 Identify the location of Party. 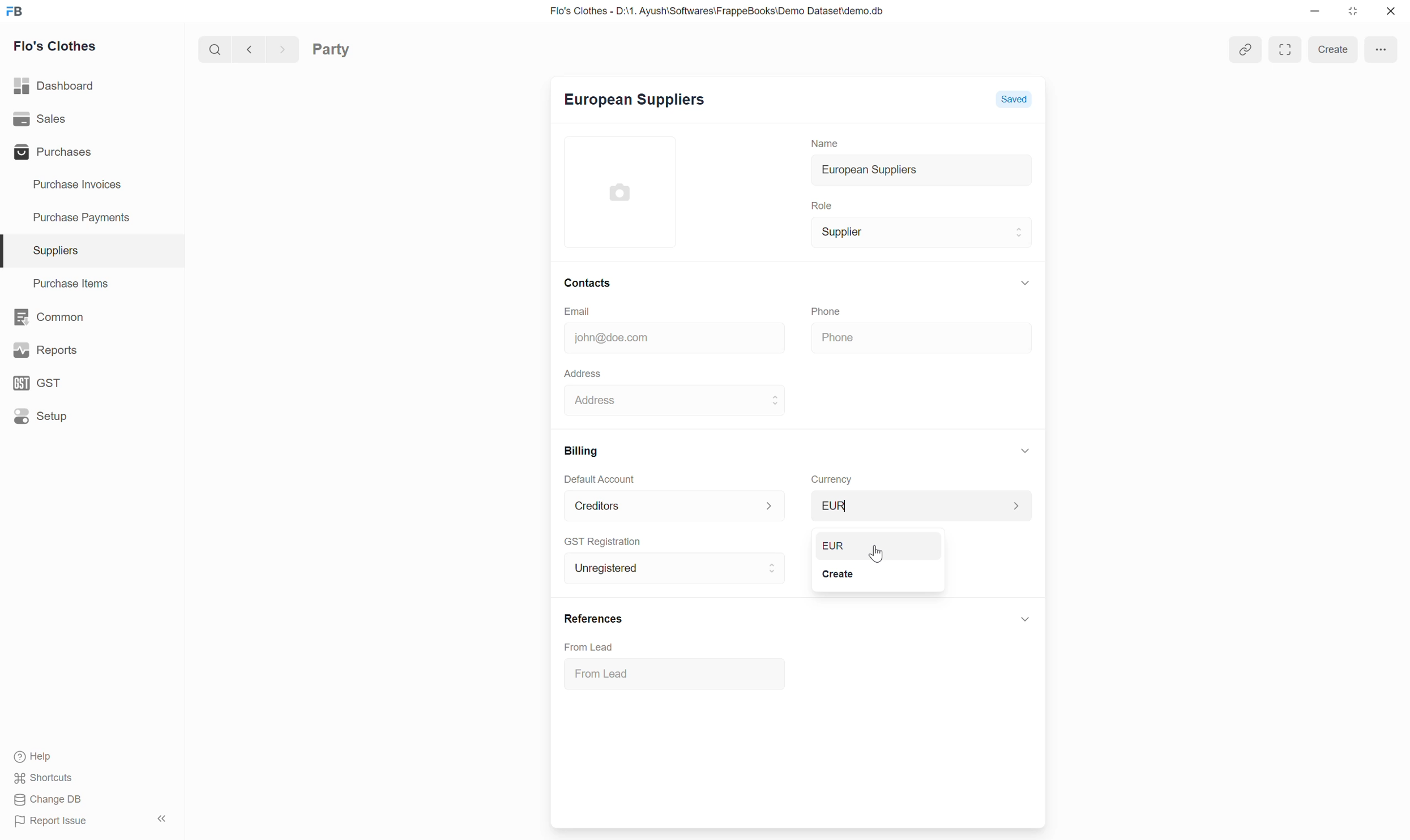
(350, 48).